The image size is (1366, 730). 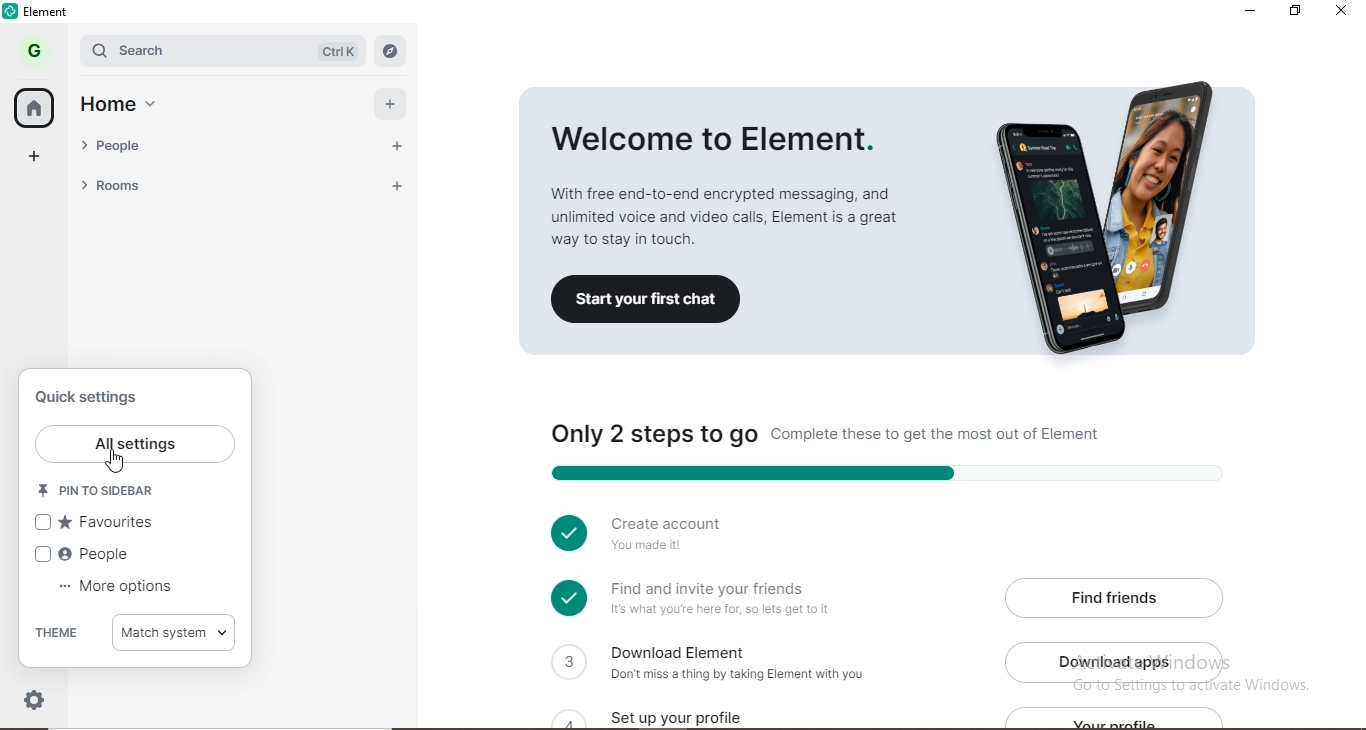 What do you see at coordinates (177, 633) in the screenshot?
I see `match system` at bounding box center [177, 633].